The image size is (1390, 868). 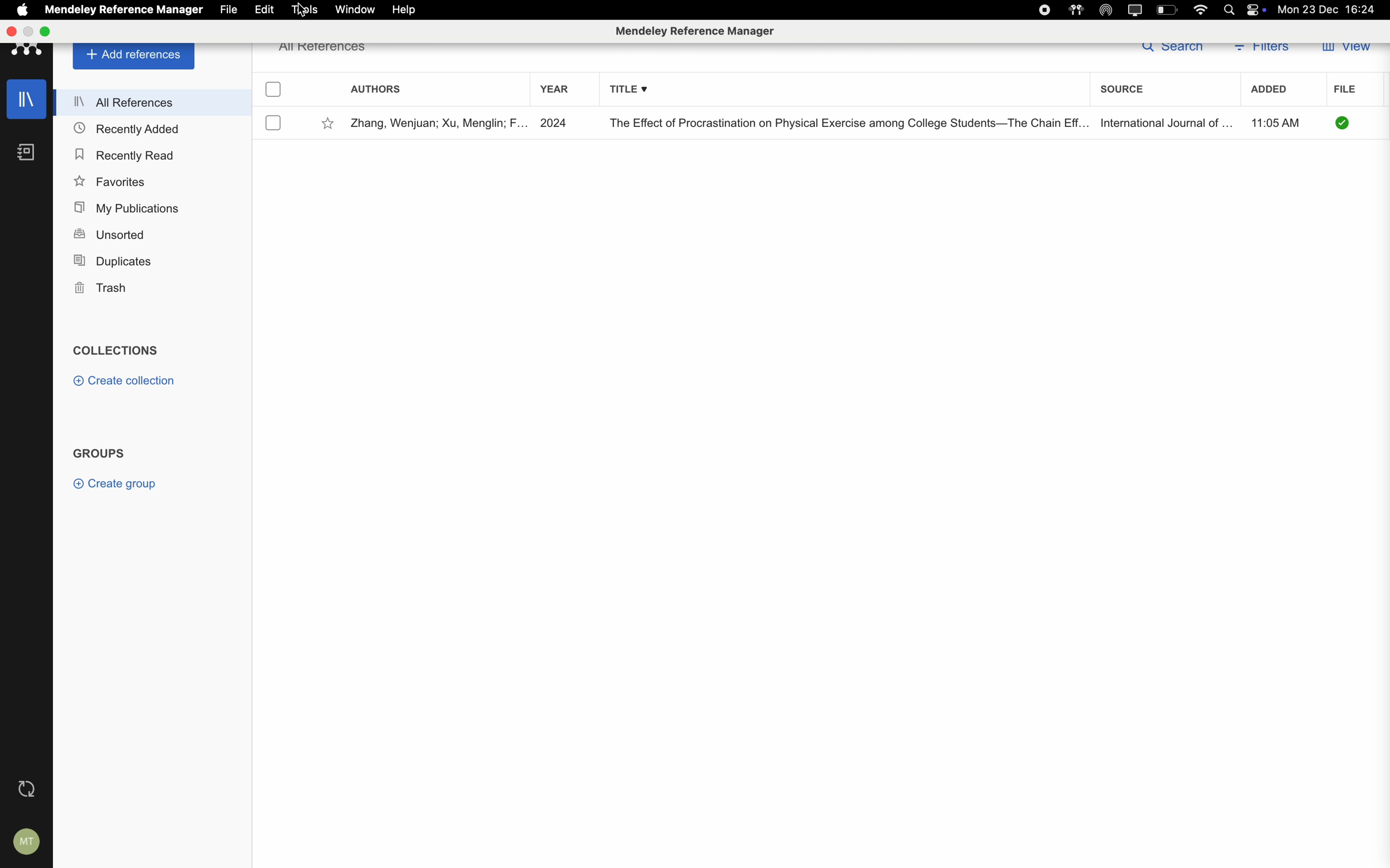 What do you see at coordinates (27, 53) in the screenshot?
I see `Mendeley logo` at bounding box center [27, 53].